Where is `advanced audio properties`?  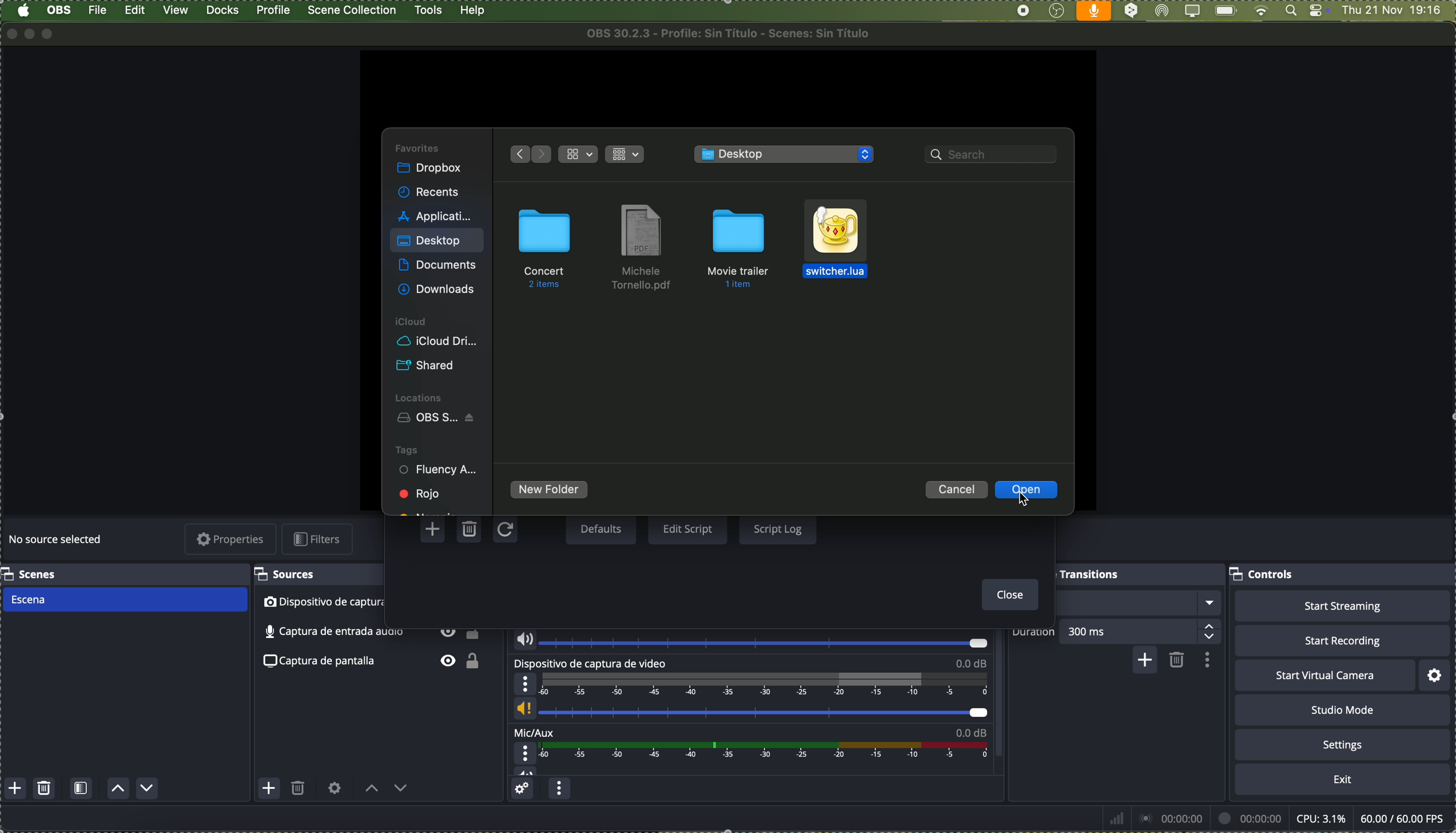 advanced audio properties is located at coordinates (524, 790).